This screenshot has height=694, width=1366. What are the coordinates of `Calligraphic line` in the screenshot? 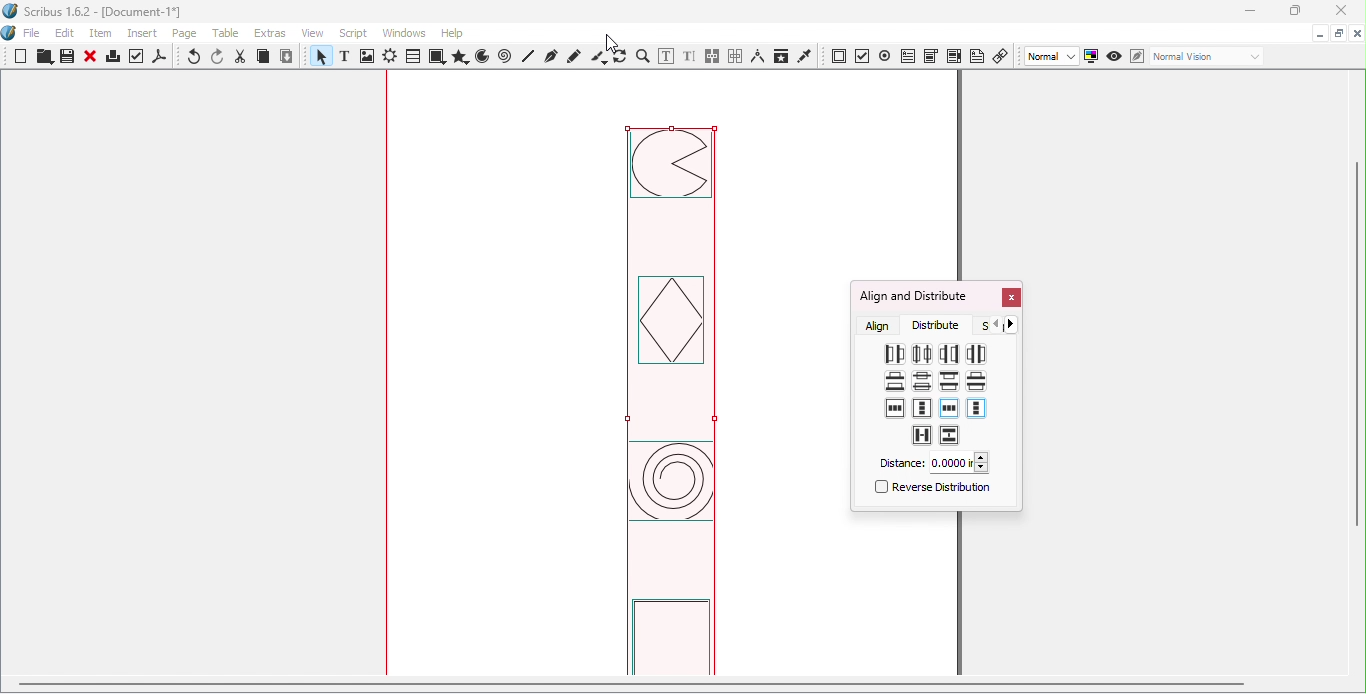 It's located at (598, 57).